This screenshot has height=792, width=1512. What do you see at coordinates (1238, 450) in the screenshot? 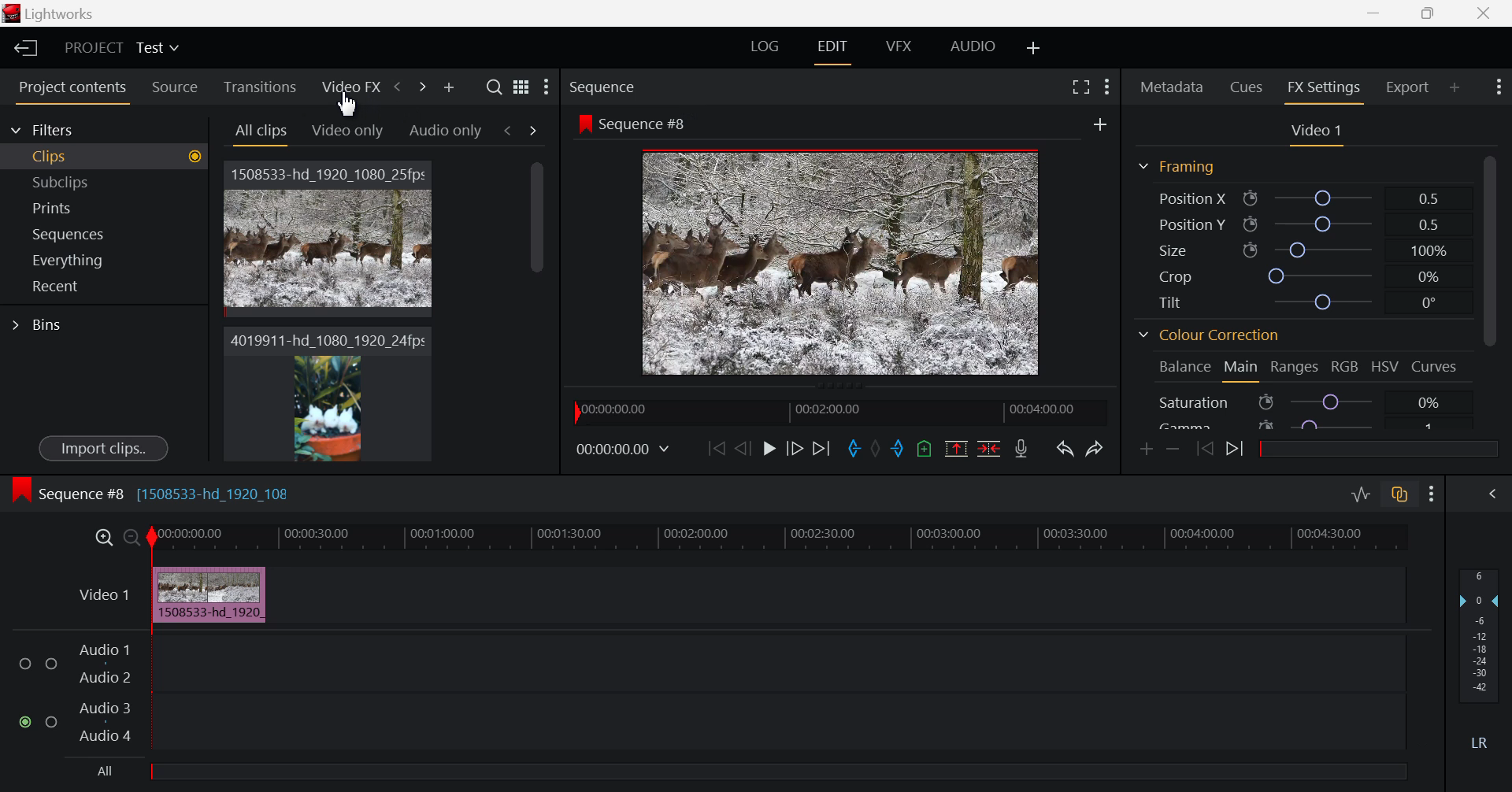
I see `Next keyframe` at bounding box center [1238, 450].